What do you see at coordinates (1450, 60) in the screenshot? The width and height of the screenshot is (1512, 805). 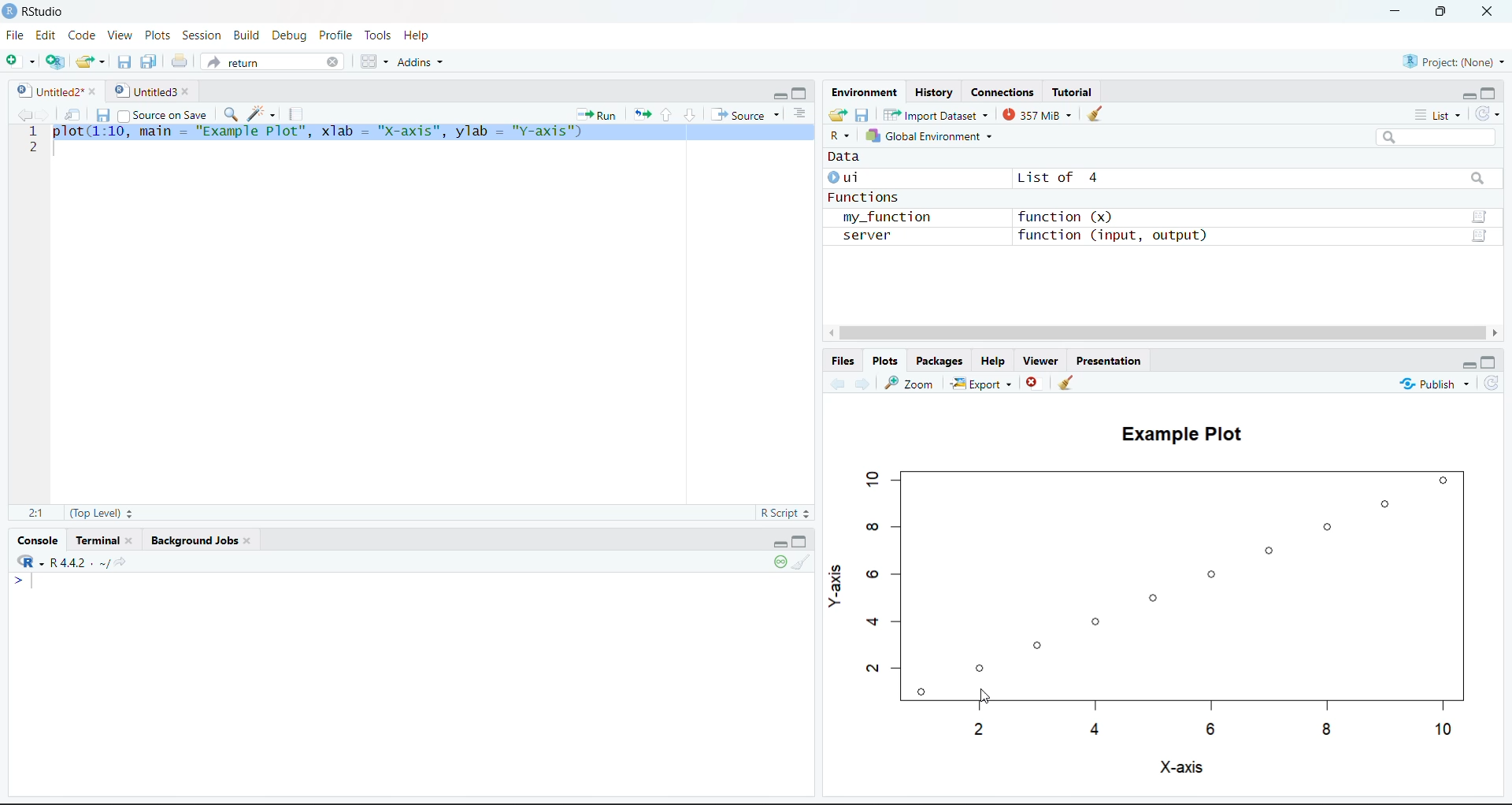 I see `Project (None)` at bounding box center [1450, 60].